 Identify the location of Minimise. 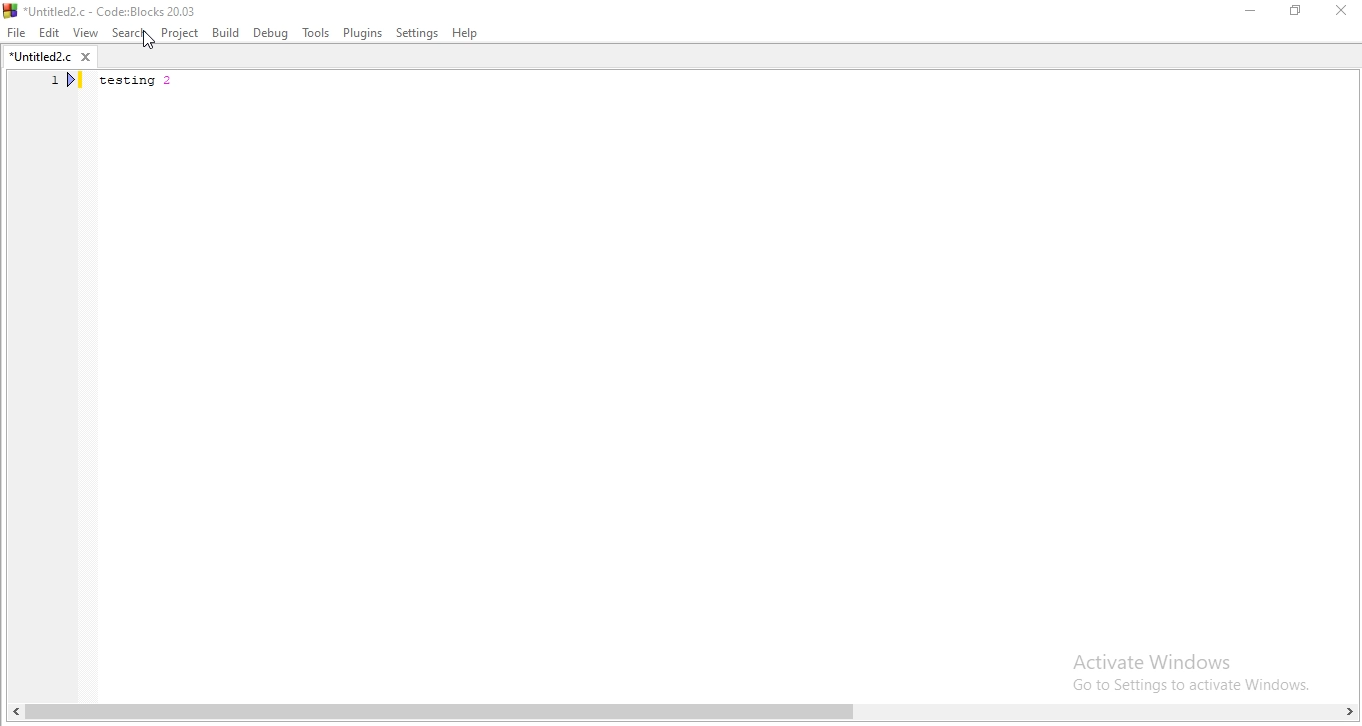
(1250, 14).